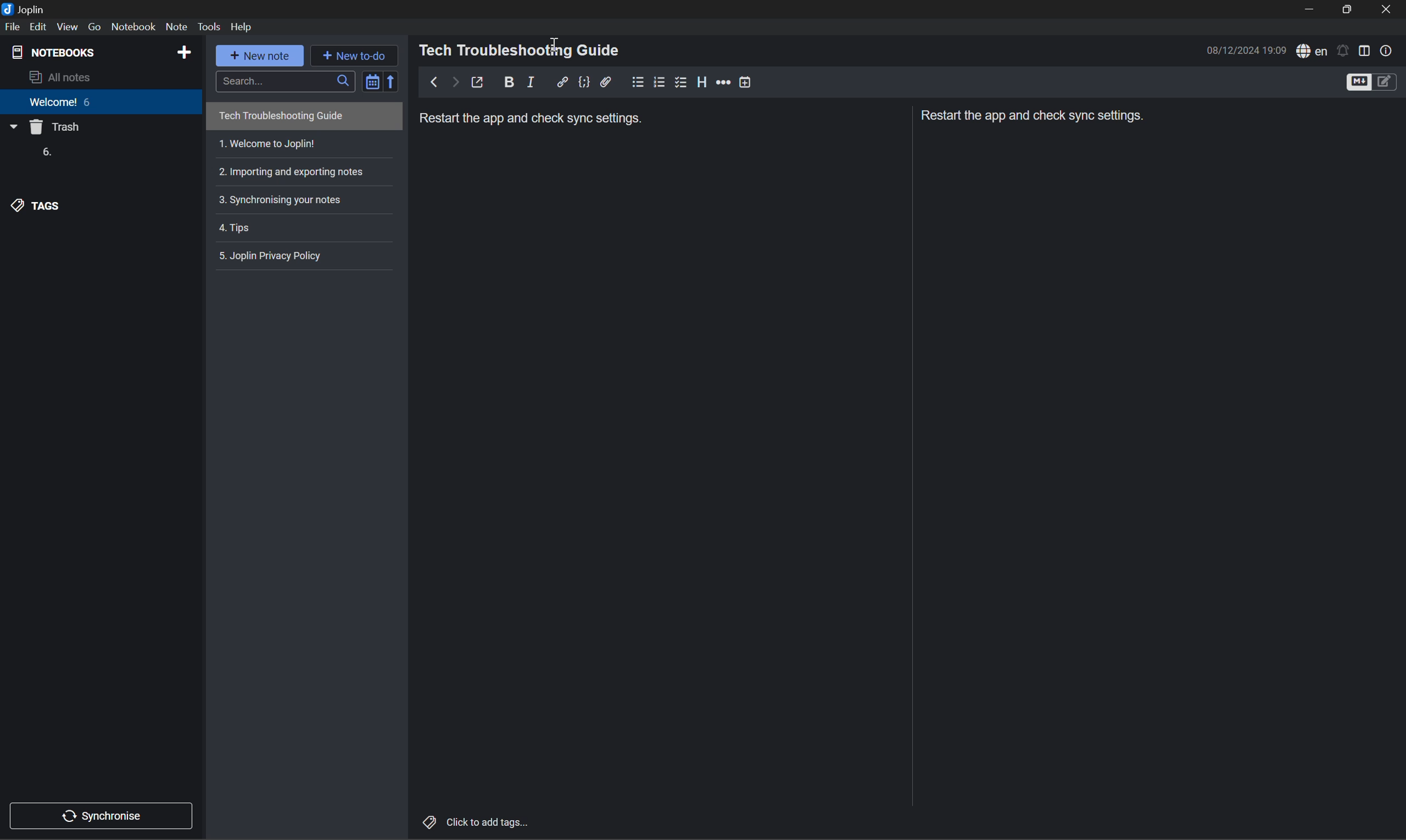 Image resolution: width=1406 pixels, height=840 pixels. Describe the element at coordinates (63, 78) in the screenshot. I see `All notes` at that location.